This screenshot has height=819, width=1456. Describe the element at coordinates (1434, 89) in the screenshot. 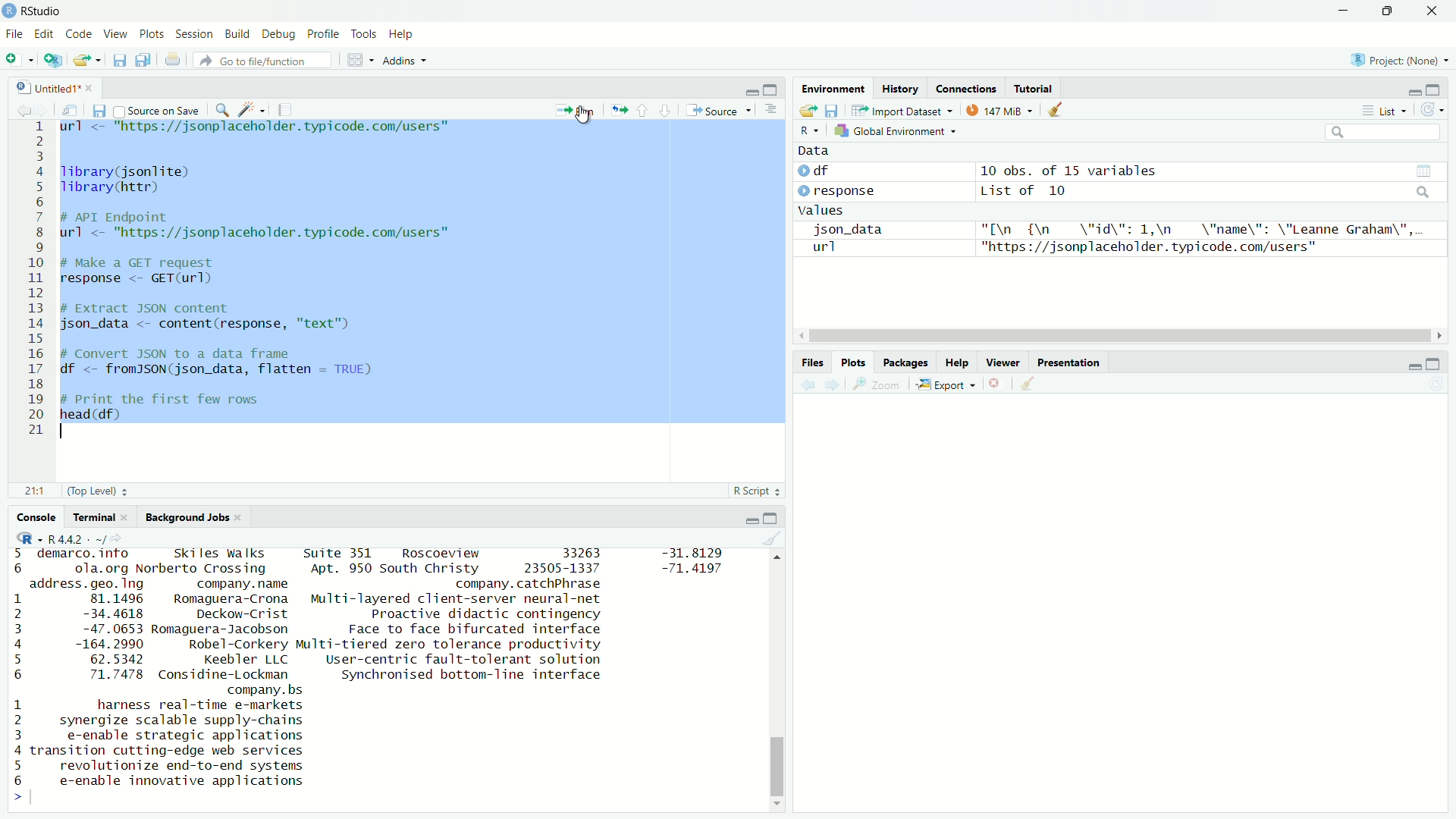

I see `Maximize` at that location.